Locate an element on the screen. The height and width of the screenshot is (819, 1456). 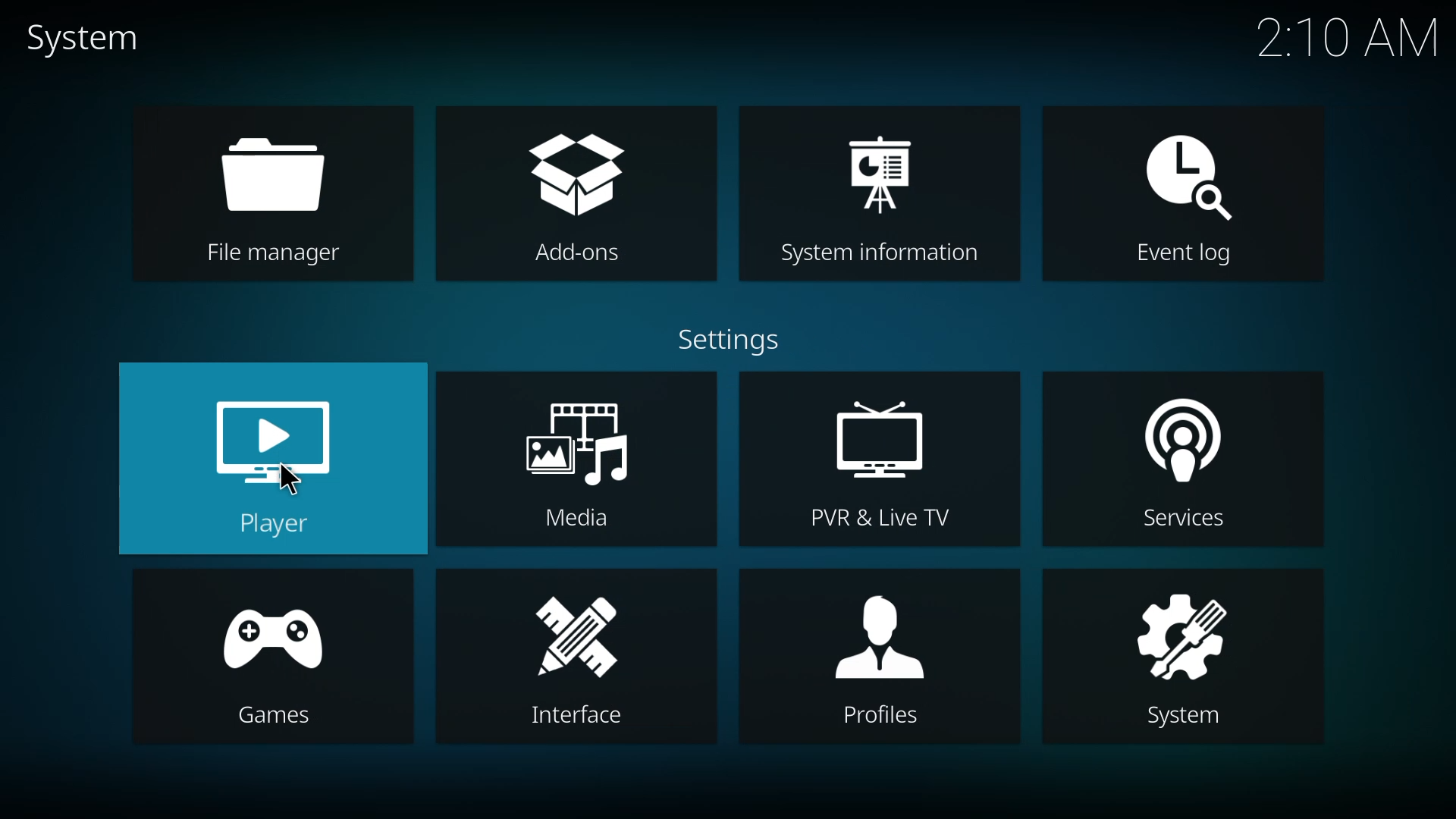
media is located at coordinates (576, 464).